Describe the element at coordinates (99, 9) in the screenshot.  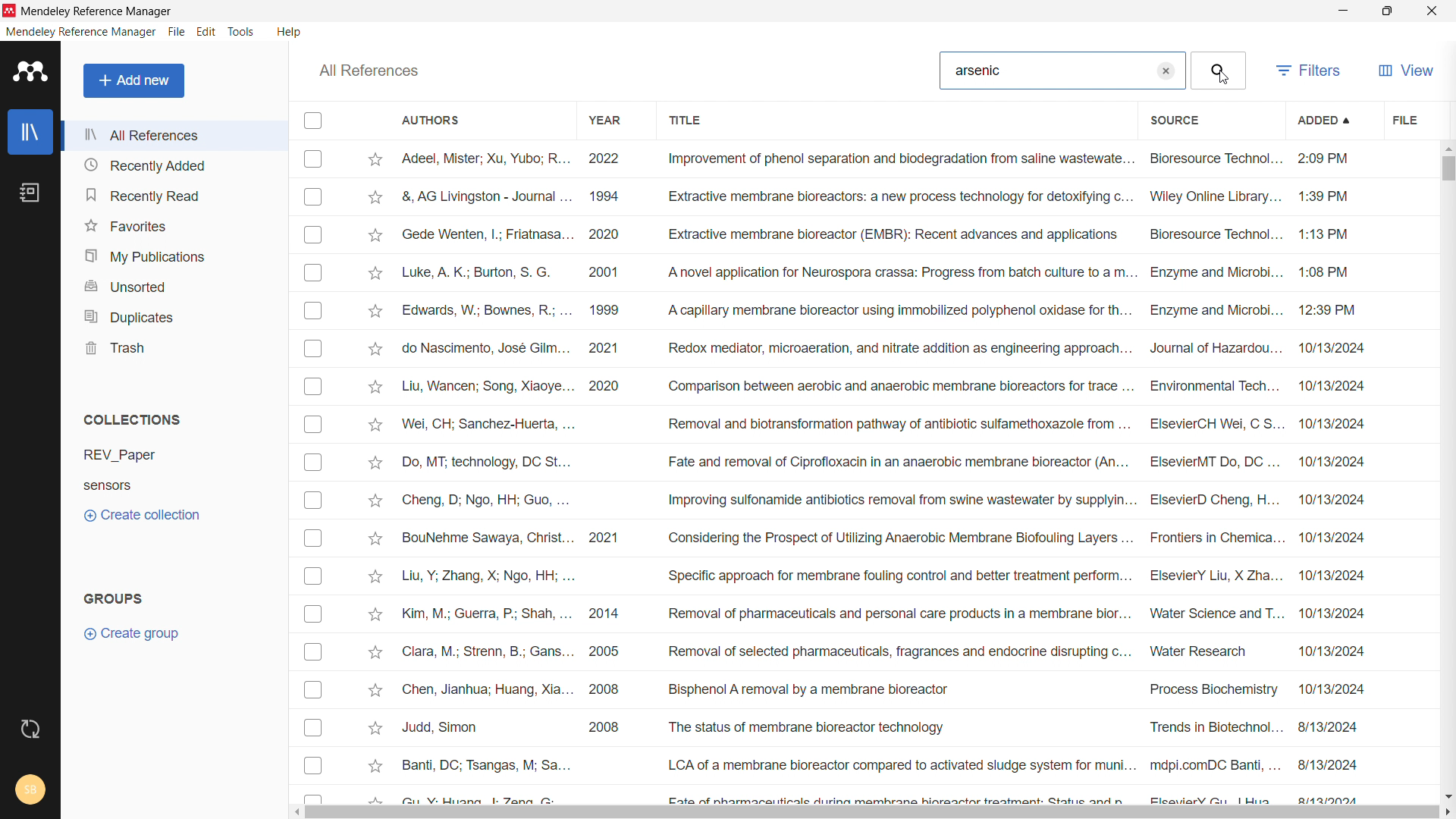
I see `Mendeley Reference Manager` at that location.